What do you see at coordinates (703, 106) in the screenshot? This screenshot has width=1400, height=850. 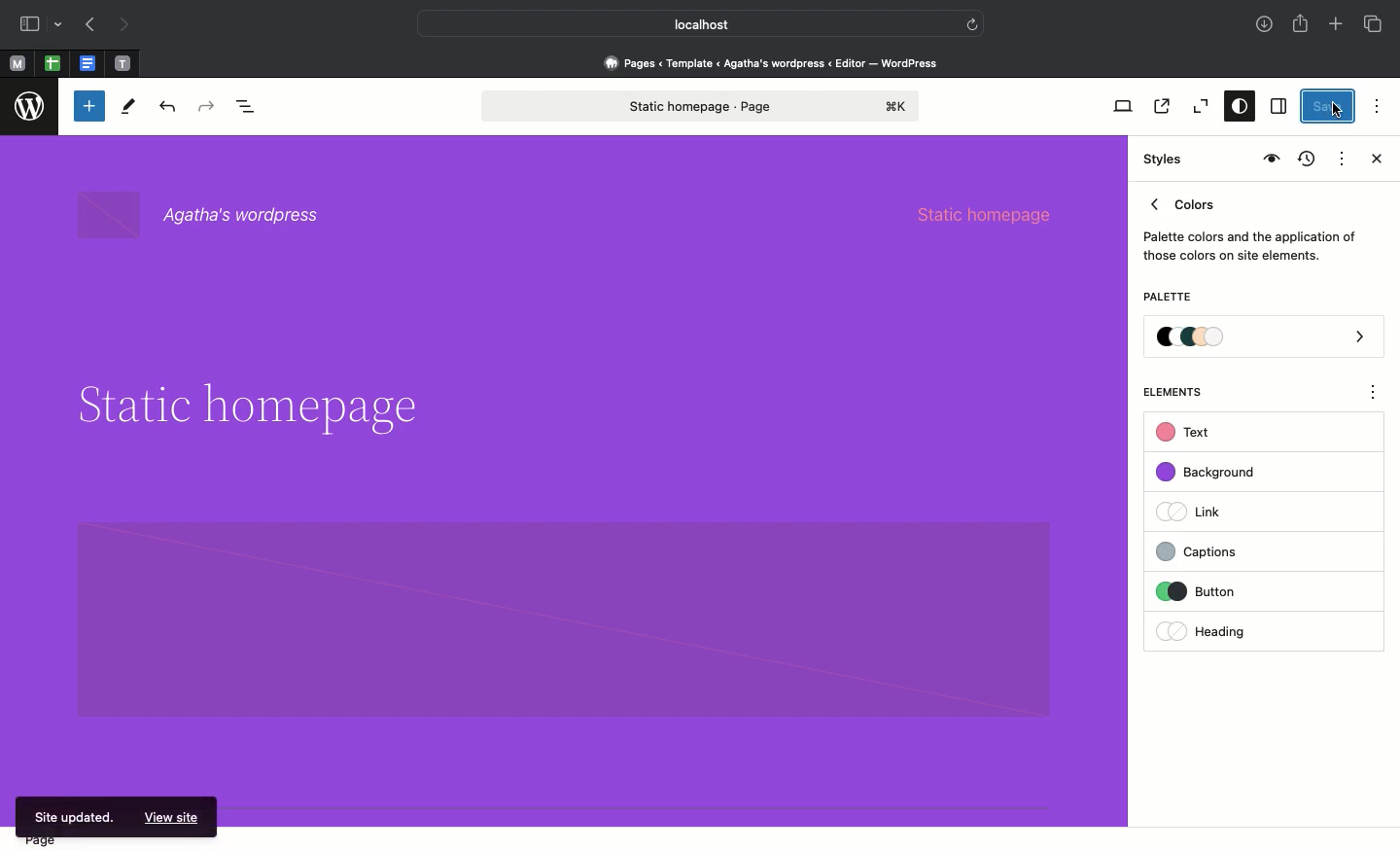 I see `Static homepage` at bounding box center [703, 106].